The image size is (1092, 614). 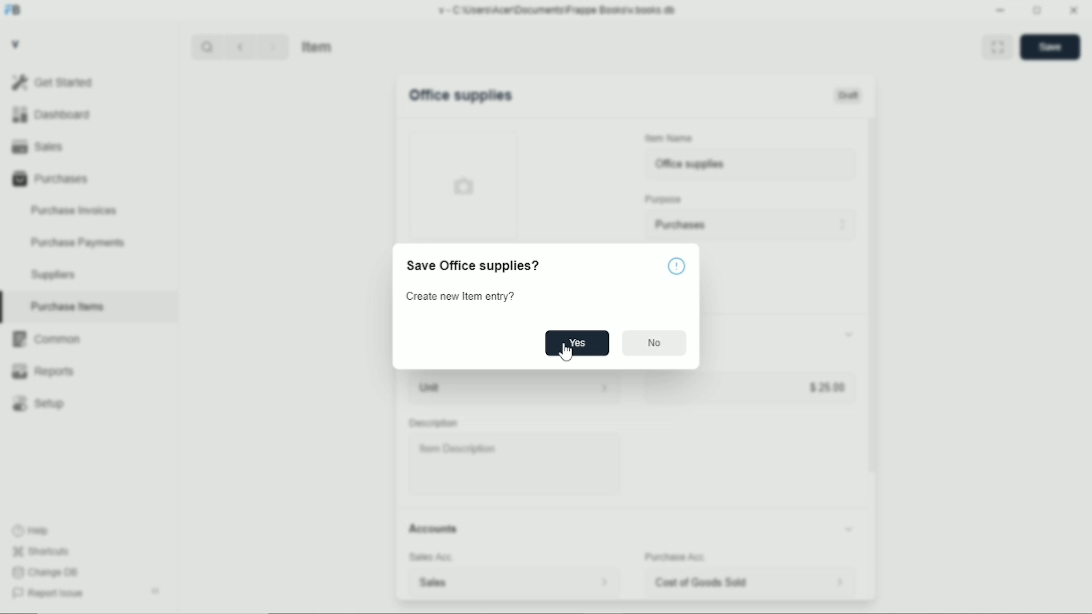 What do you see at coordinates (670, 138) in the screenshot?
I see `item name` at bounding box center [670, 138].